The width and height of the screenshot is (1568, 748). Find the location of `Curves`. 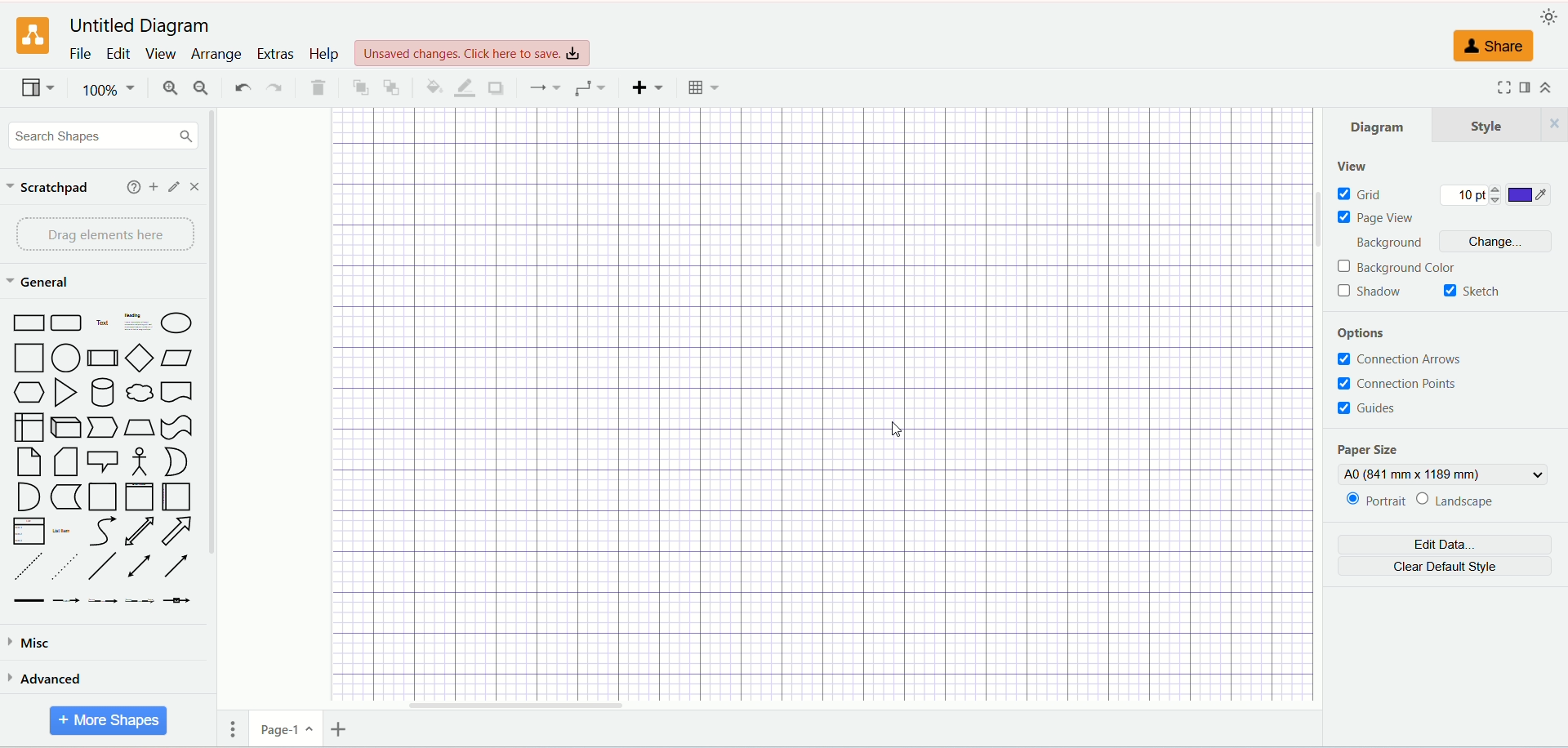

Curves is located at coordinates (102, 533).